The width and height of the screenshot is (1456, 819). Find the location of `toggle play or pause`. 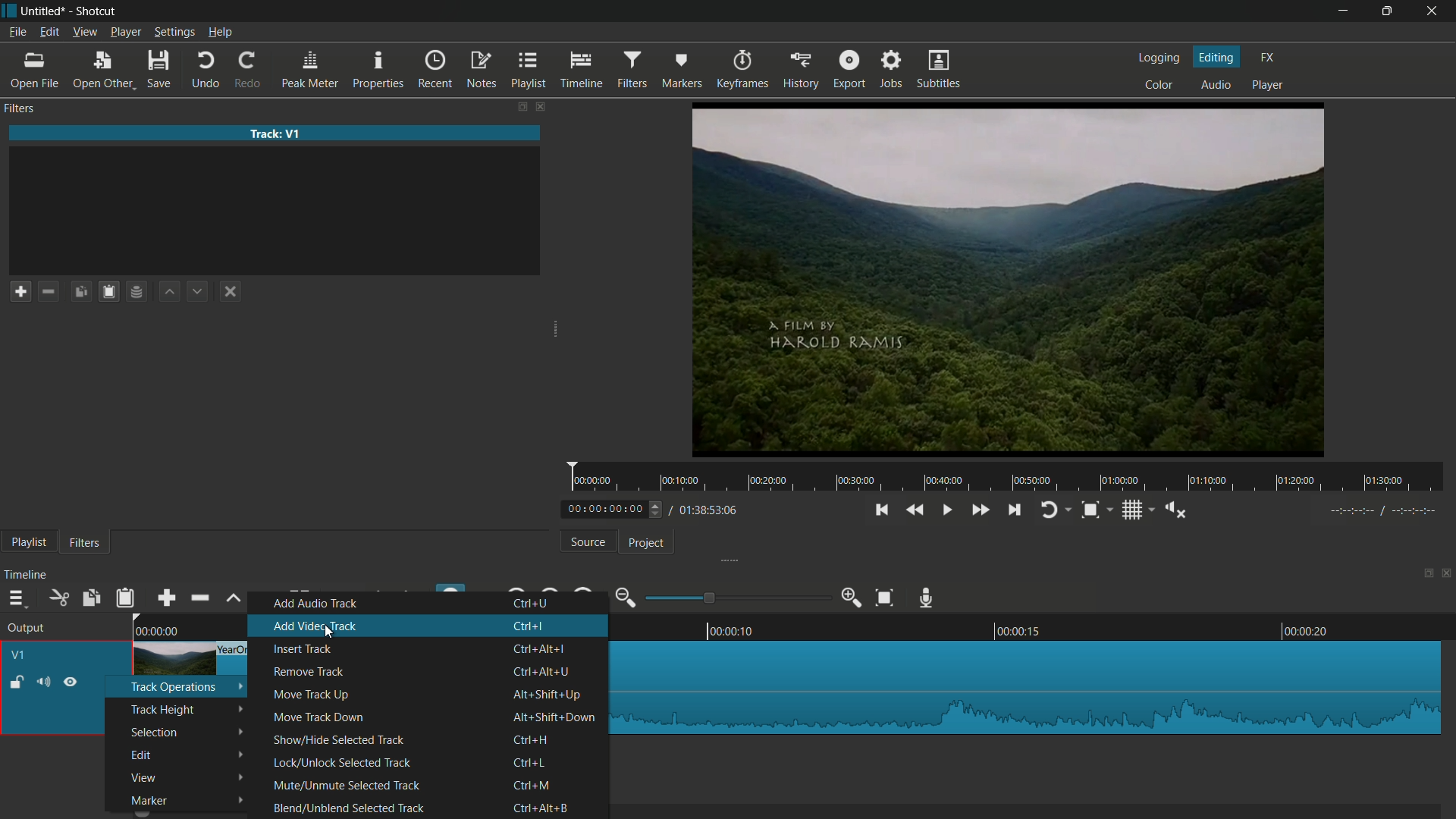

toggle play or pause is located at coordinates (949, 510).